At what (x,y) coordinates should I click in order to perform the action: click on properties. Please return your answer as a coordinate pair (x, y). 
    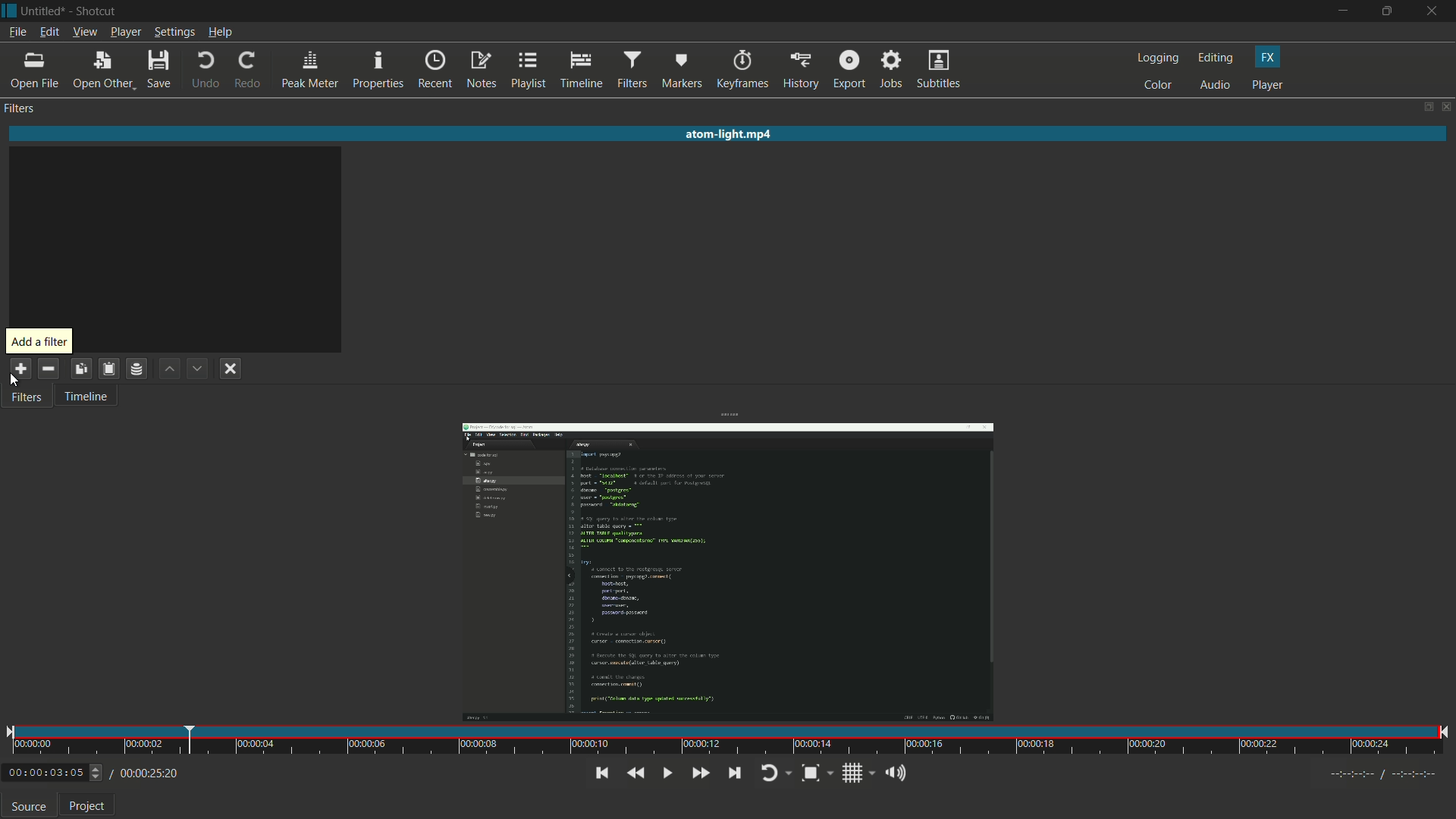
    Looking at the image, I should click on (379, 70).